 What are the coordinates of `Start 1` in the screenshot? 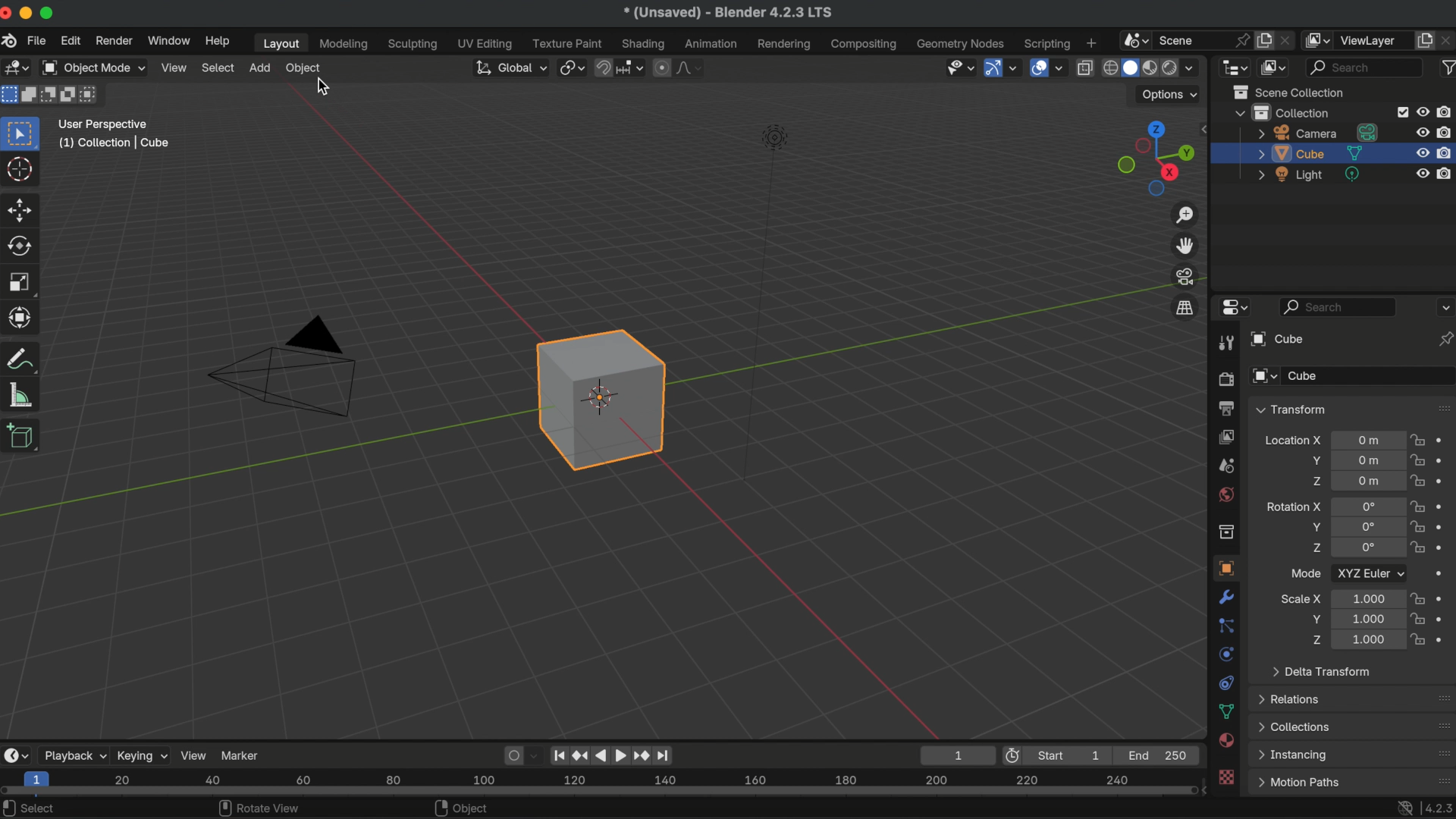 It's located at (1075, 755).